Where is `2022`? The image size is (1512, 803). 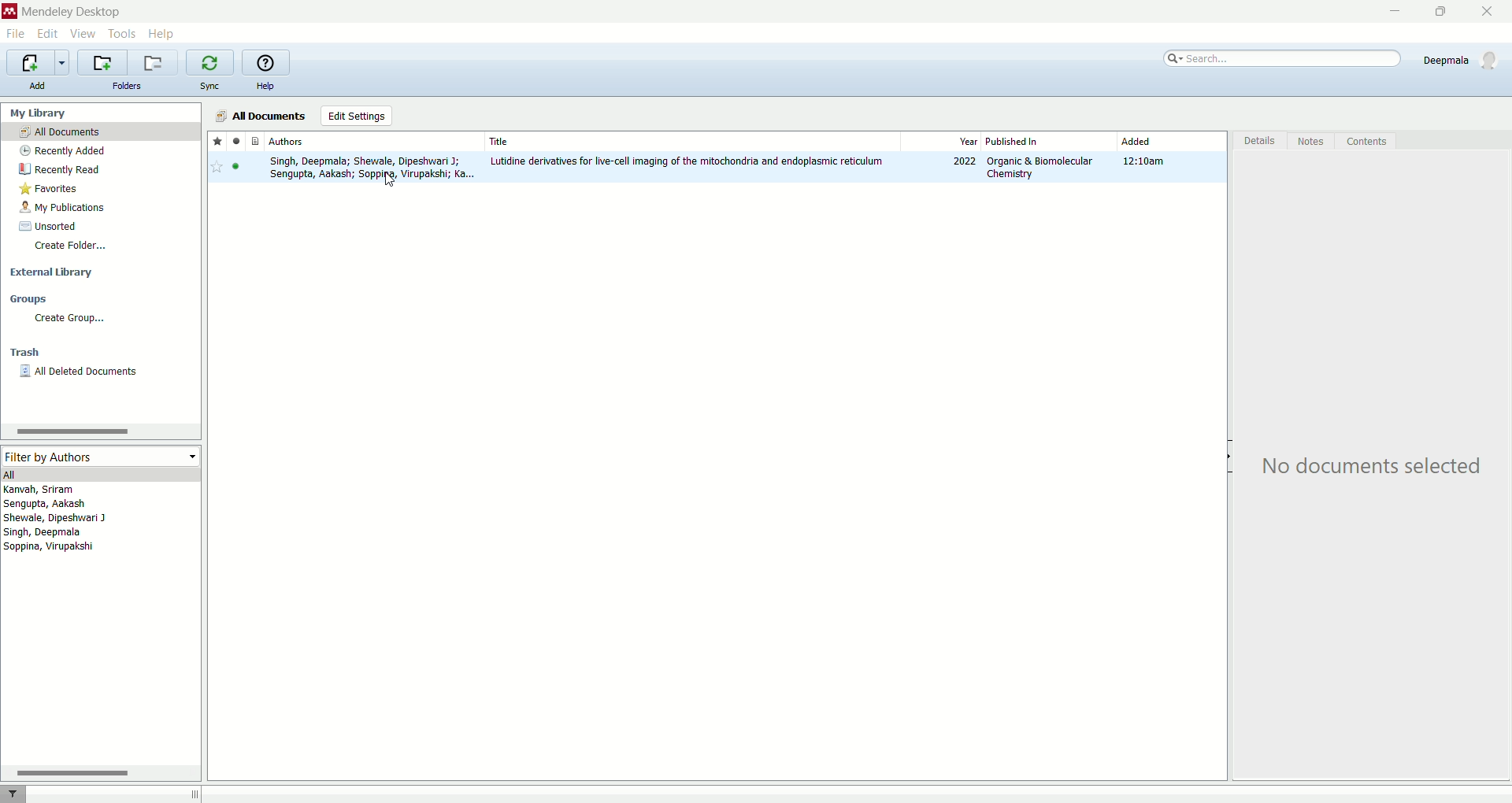 2022 is located at coordinates (965, 162).